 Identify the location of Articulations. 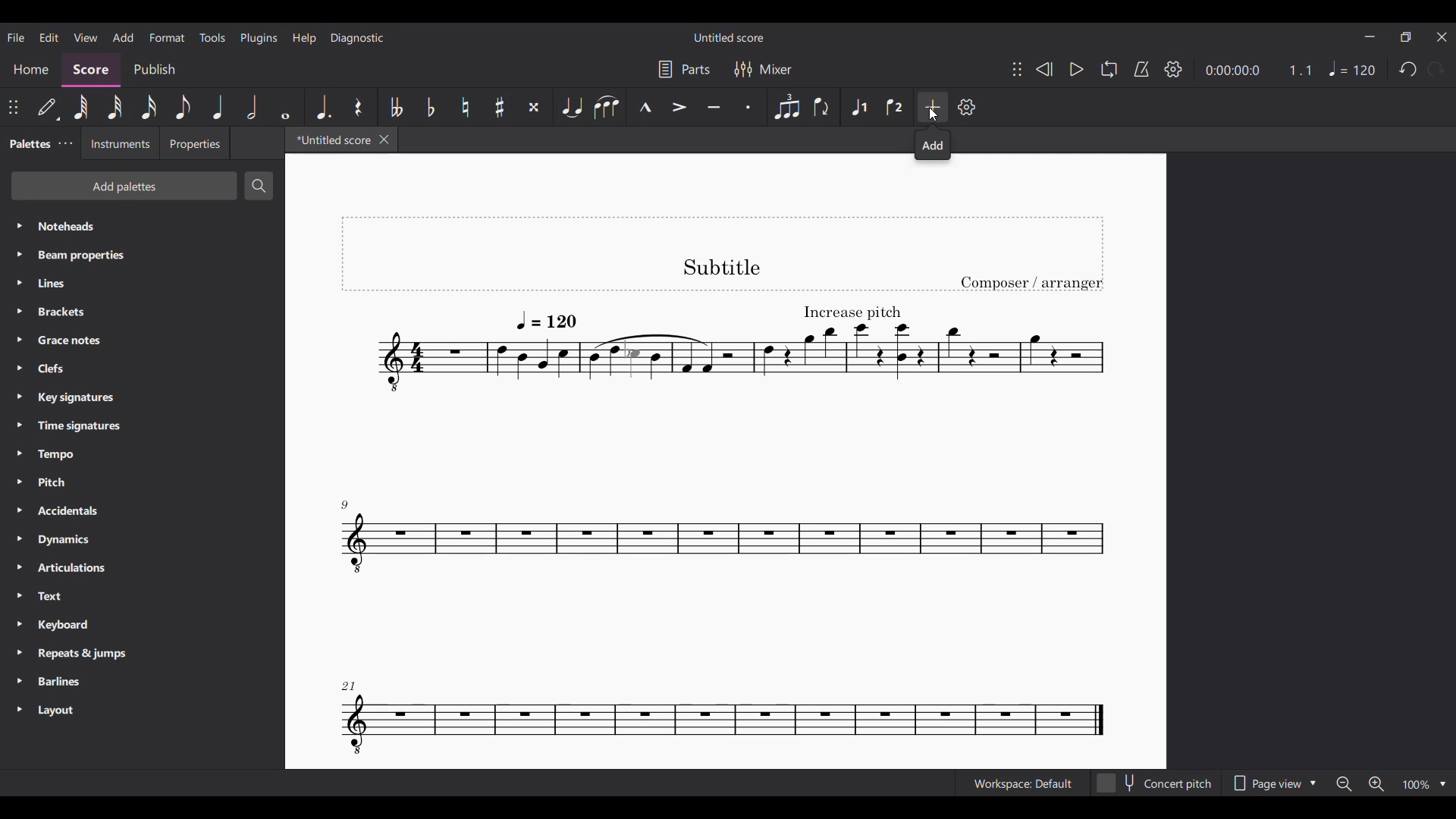
(143, 568).